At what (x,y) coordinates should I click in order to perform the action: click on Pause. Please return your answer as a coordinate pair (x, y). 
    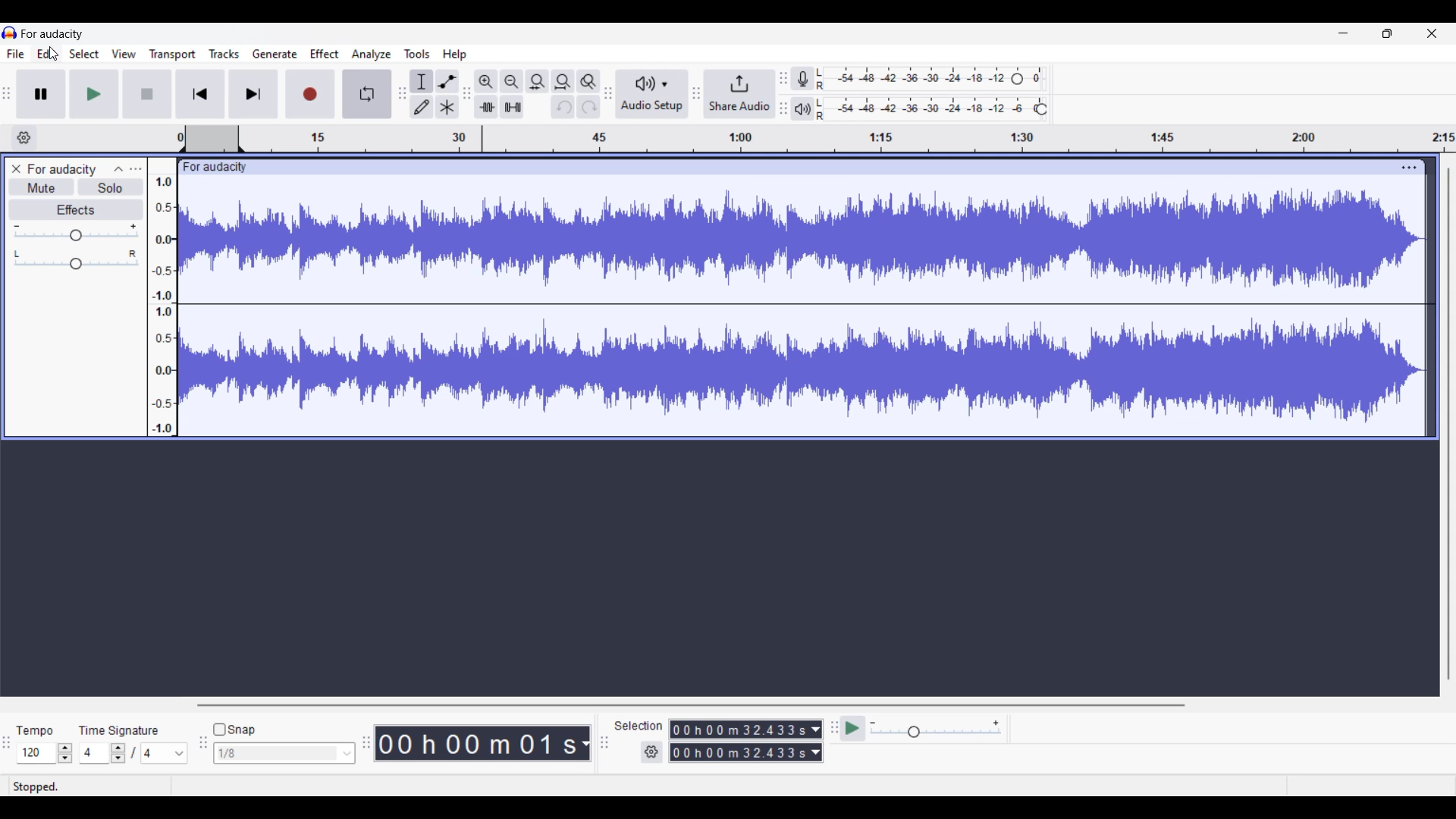
    Looking at the image, I should click on (42, 94).